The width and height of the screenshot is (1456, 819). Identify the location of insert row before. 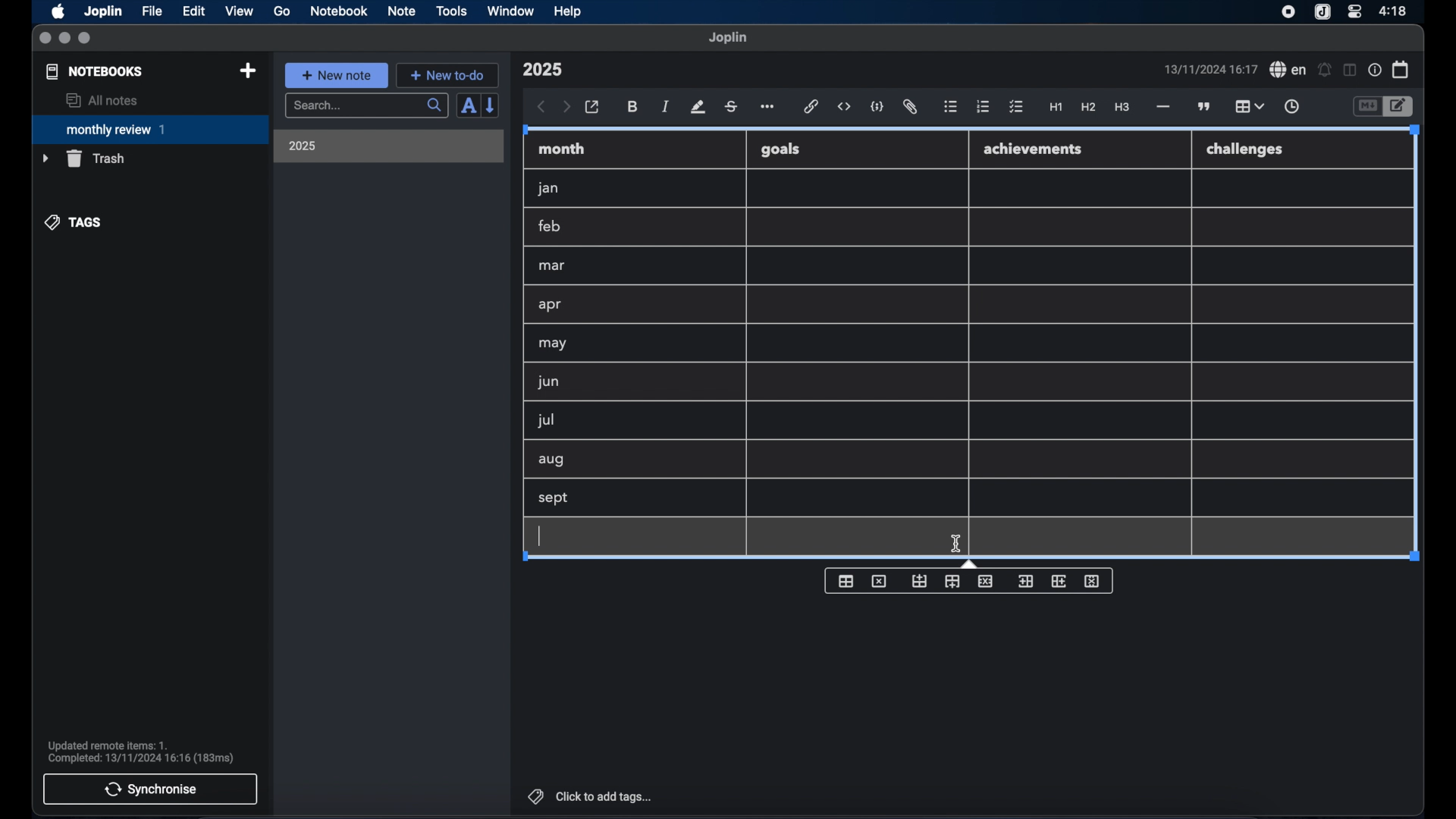
(921, 582).